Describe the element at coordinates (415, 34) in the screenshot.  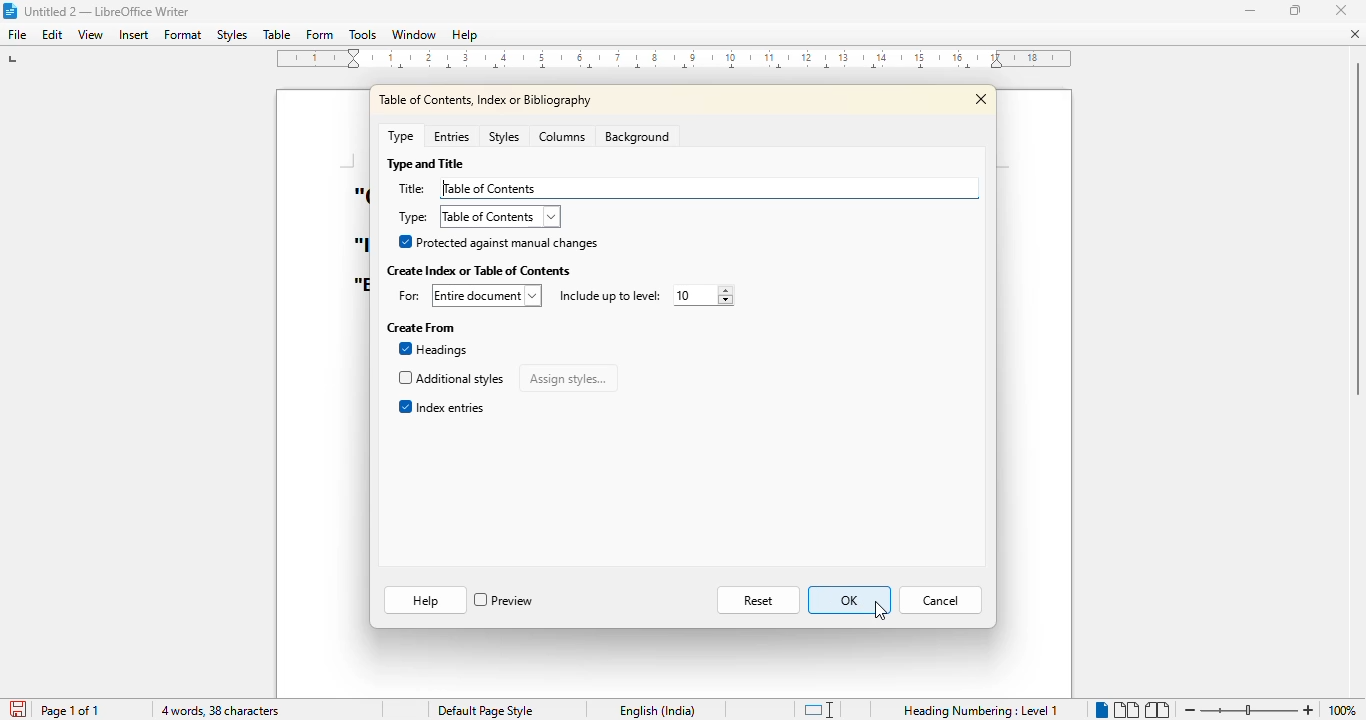
I see `window` at that location.